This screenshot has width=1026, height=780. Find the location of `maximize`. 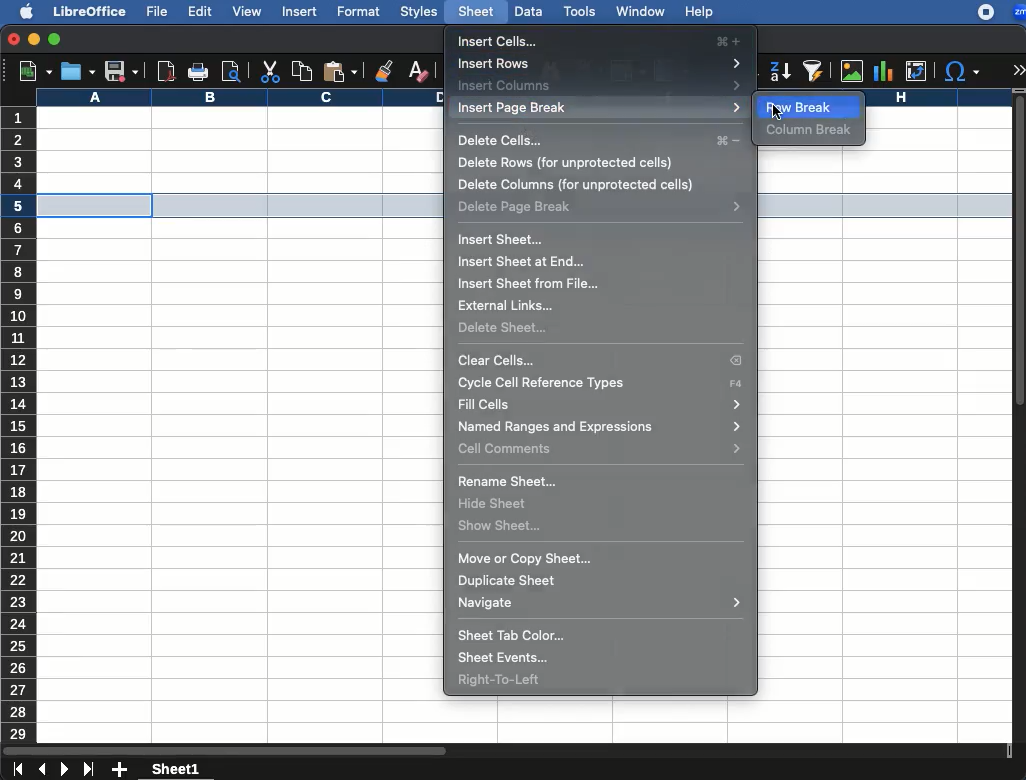

maximize is located at coordinates (54, 39).